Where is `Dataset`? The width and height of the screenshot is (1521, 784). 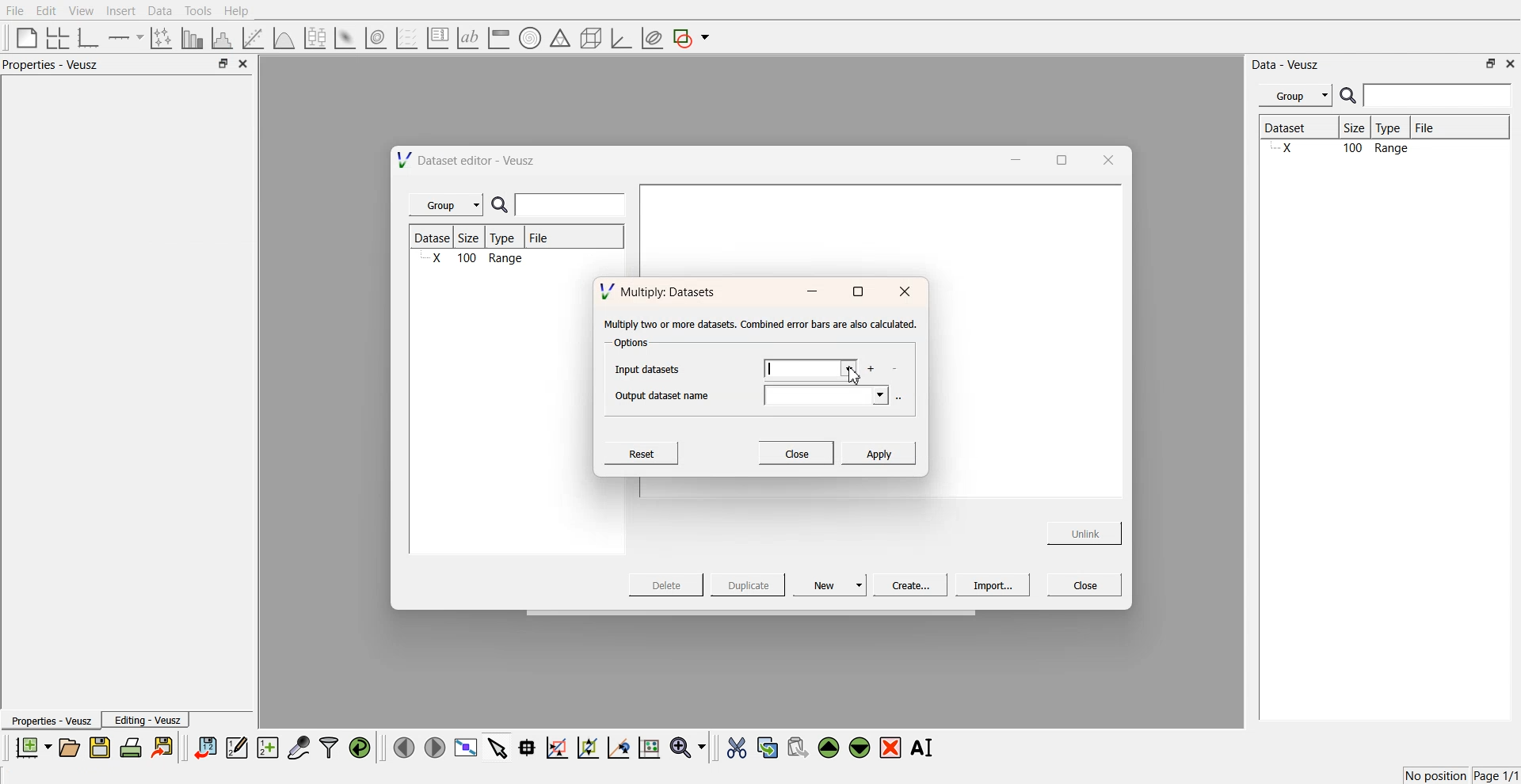 Dataset is located at coordinates (1298, 129).